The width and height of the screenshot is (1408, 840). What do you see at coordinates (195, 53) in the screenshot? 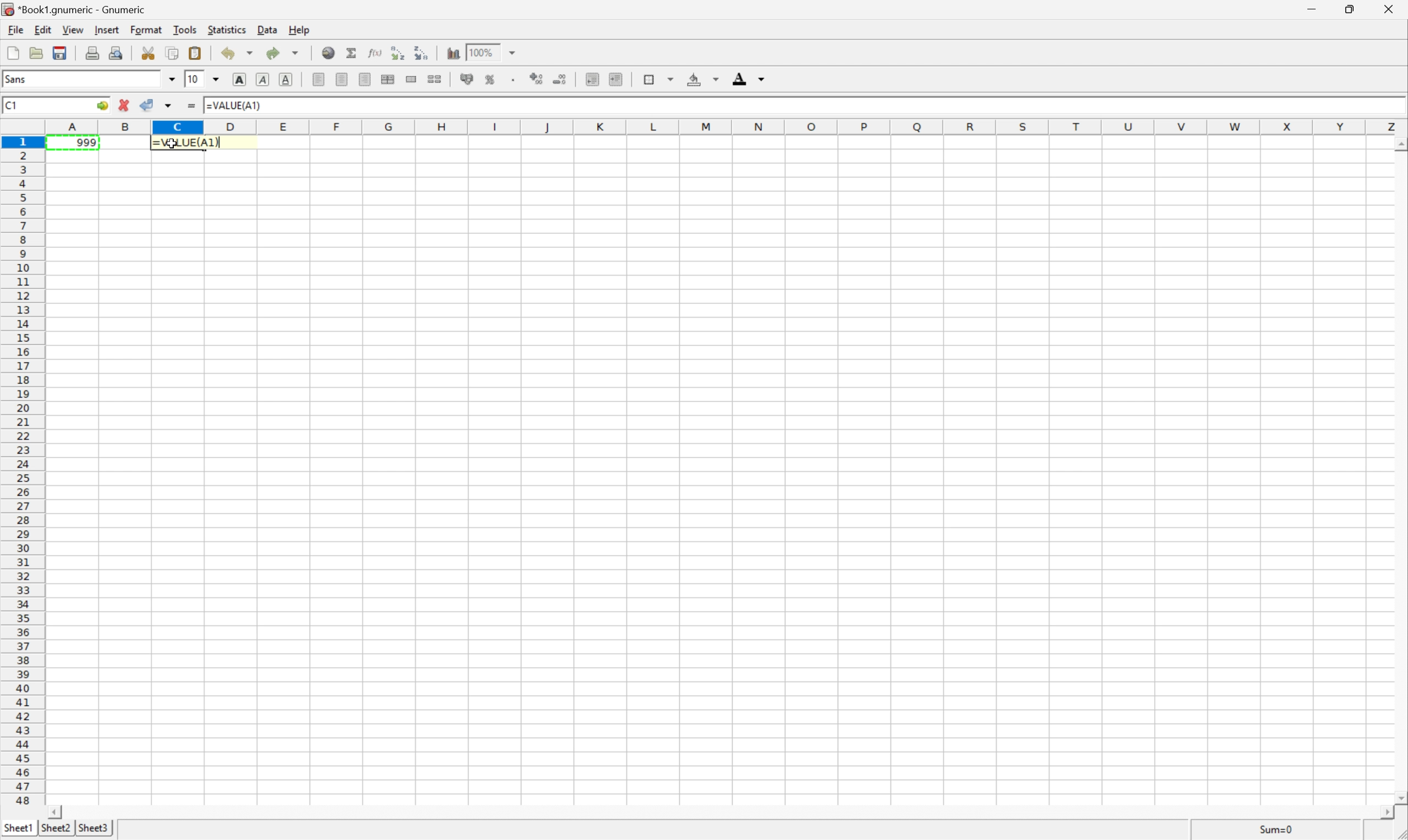
I see `paste` at bounding box center [195, 53].